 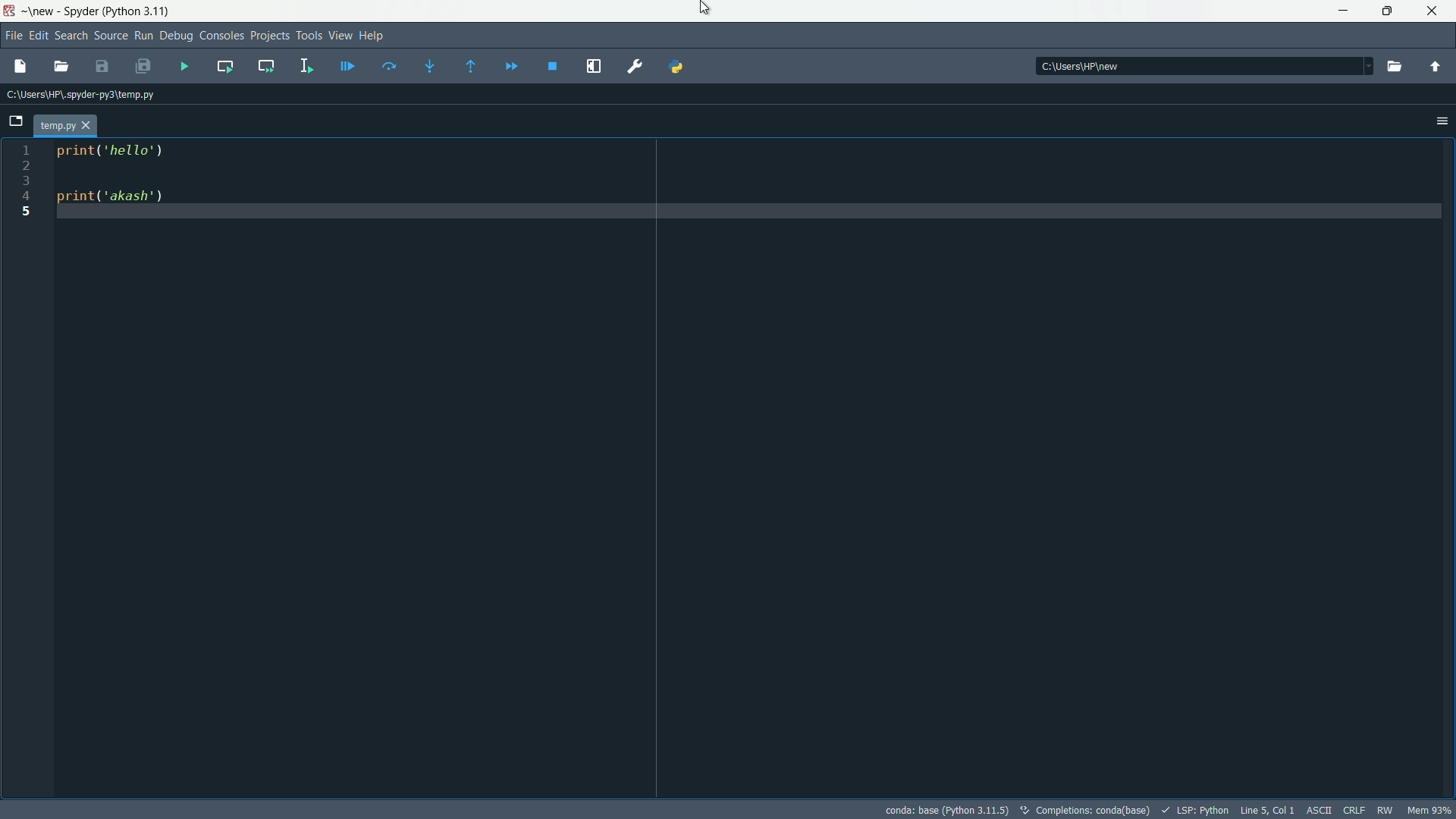 What do you see at coordinates (119, 177) in the screenshot?
I see `code` at bounding box center [119, 177].